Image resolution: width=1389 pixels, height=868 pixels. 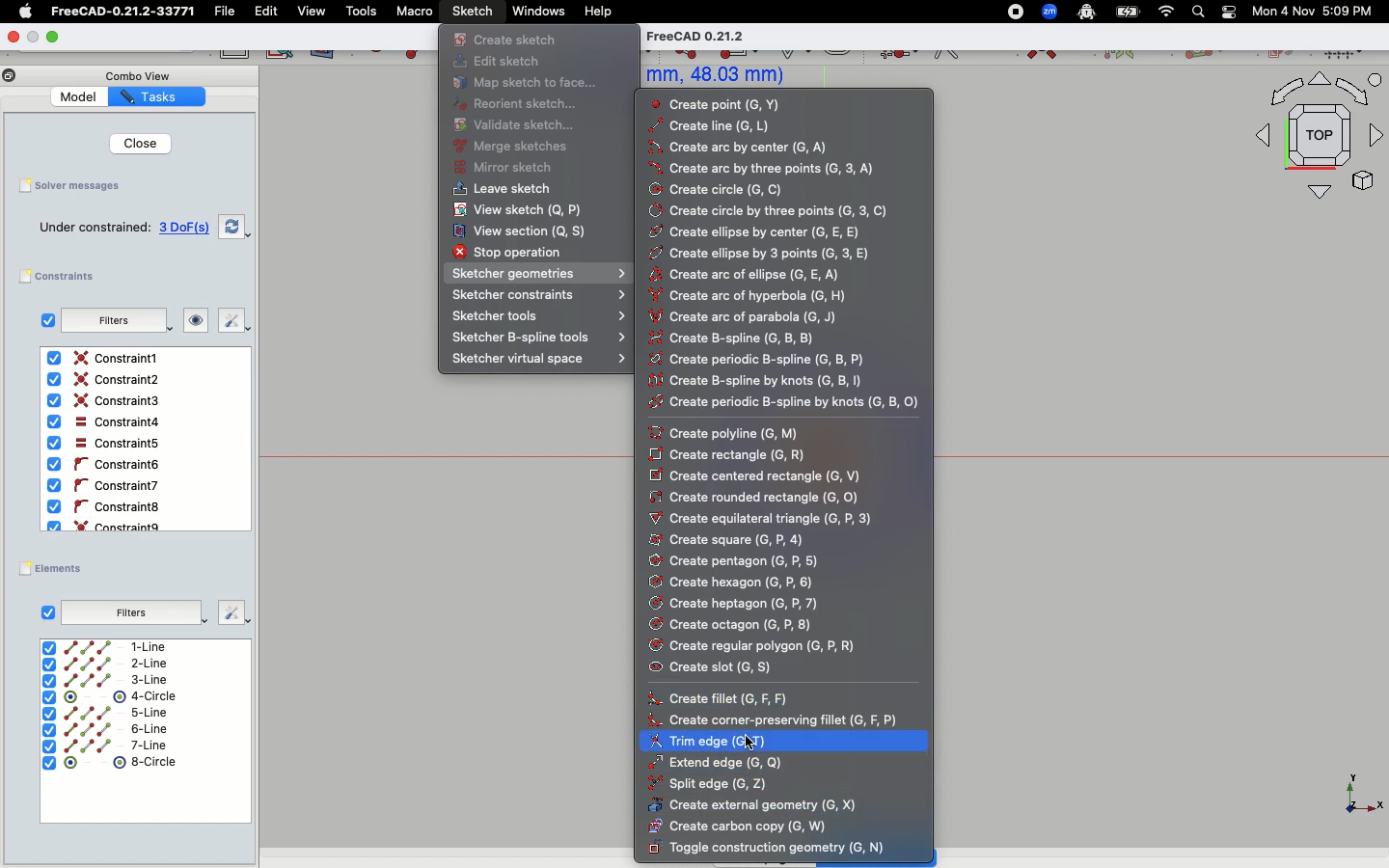 I want to click on Checkbox, so click(x=43, y=320).